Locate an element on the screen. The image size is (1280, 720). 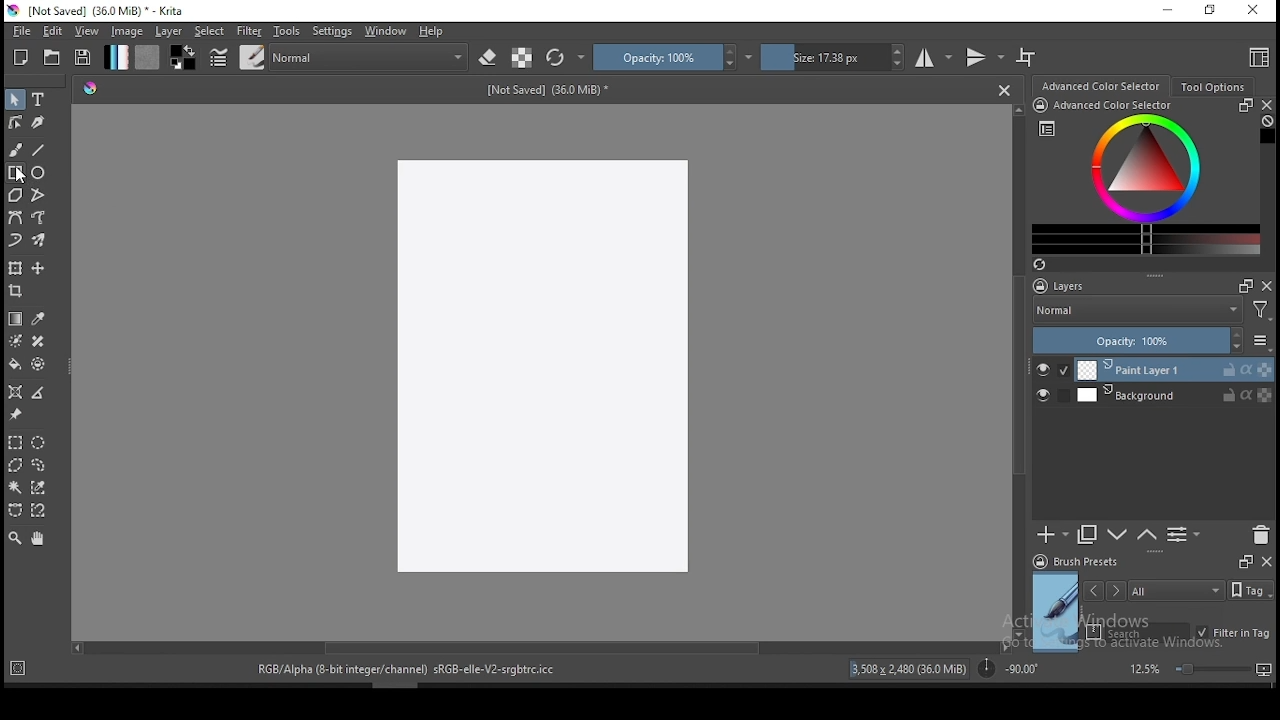
Frames is located at coordinates (1240, 285).